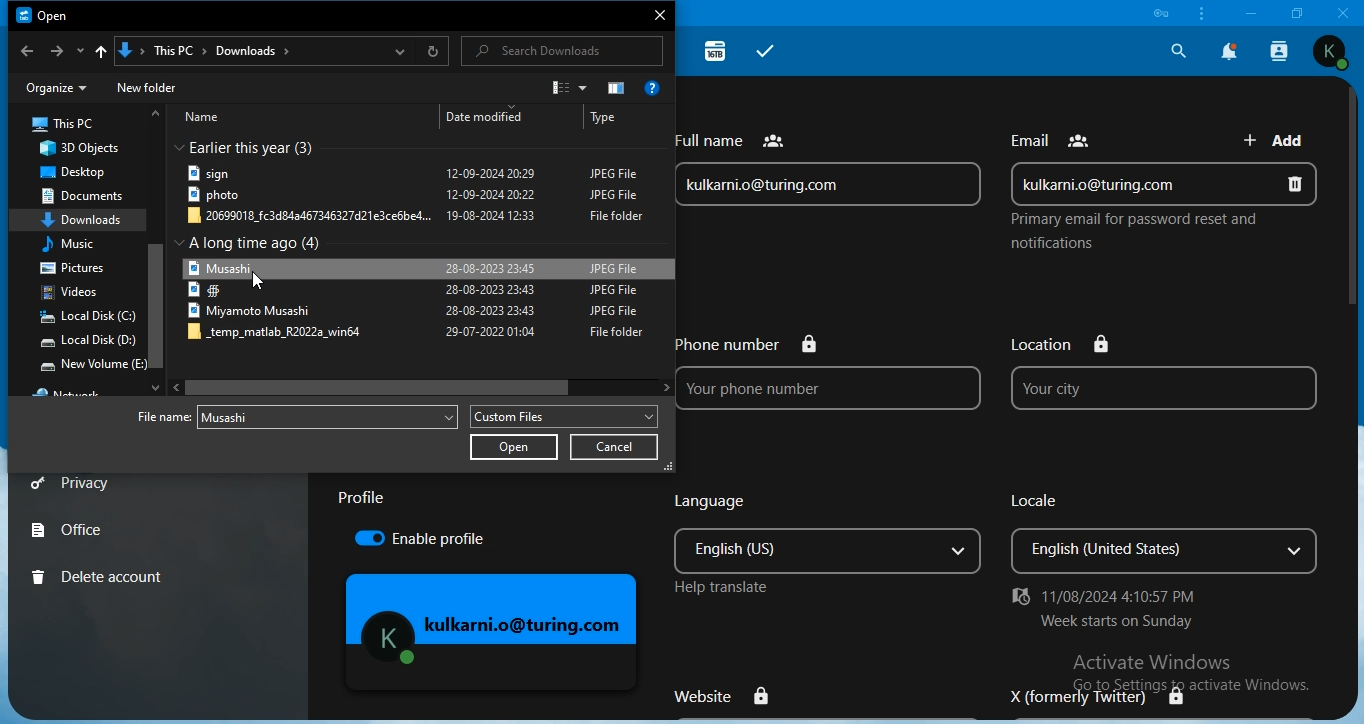 This screenshot has width=1364, height=724. What do you see at coordinates (414, 216) in the screenshot?
I see `ile` at bounding box center [414, 216].